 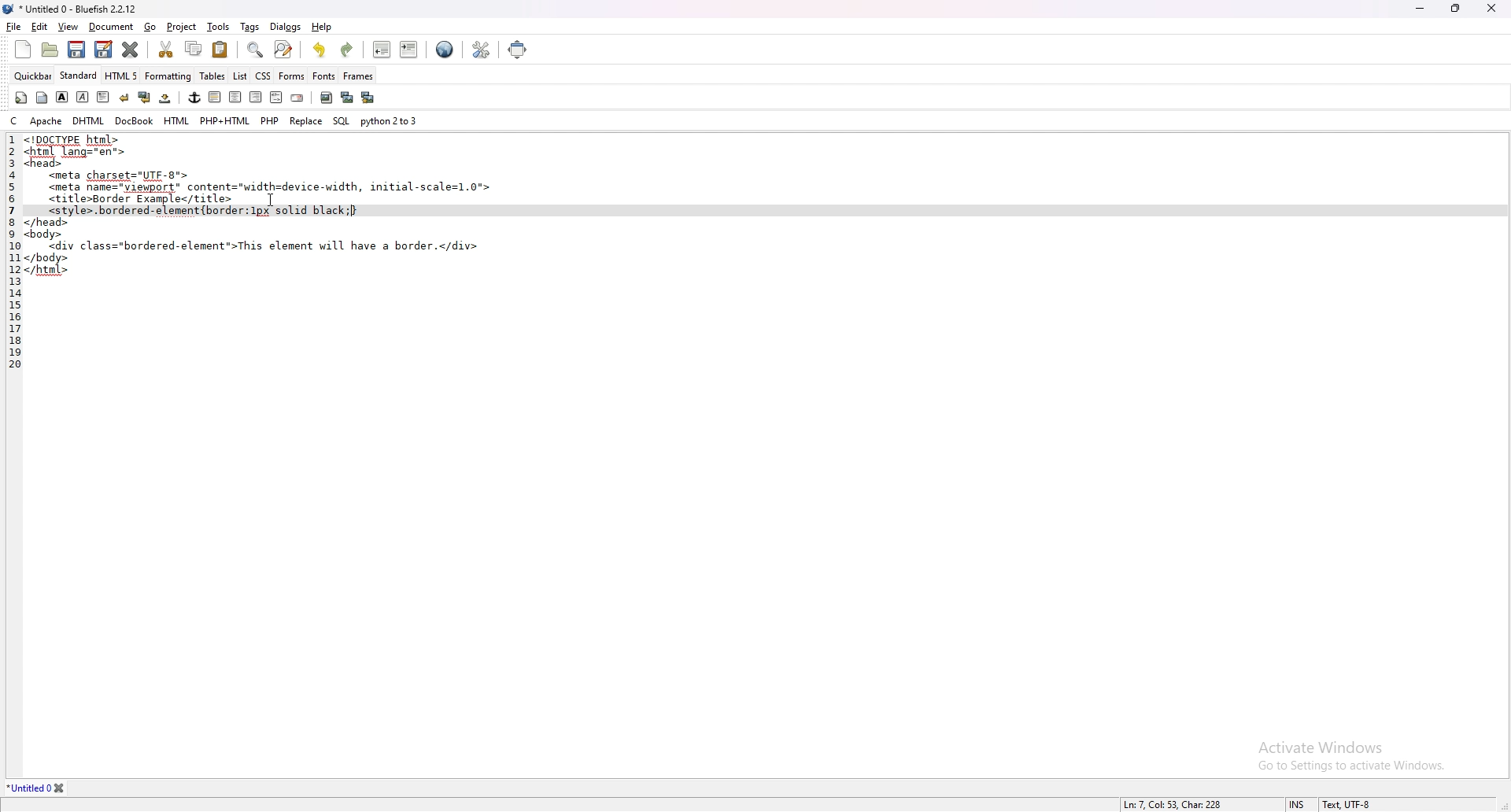 What do you see at coordinates (46, 120) in the screenshot?
I see `apache` at bounding box center [46, 120].